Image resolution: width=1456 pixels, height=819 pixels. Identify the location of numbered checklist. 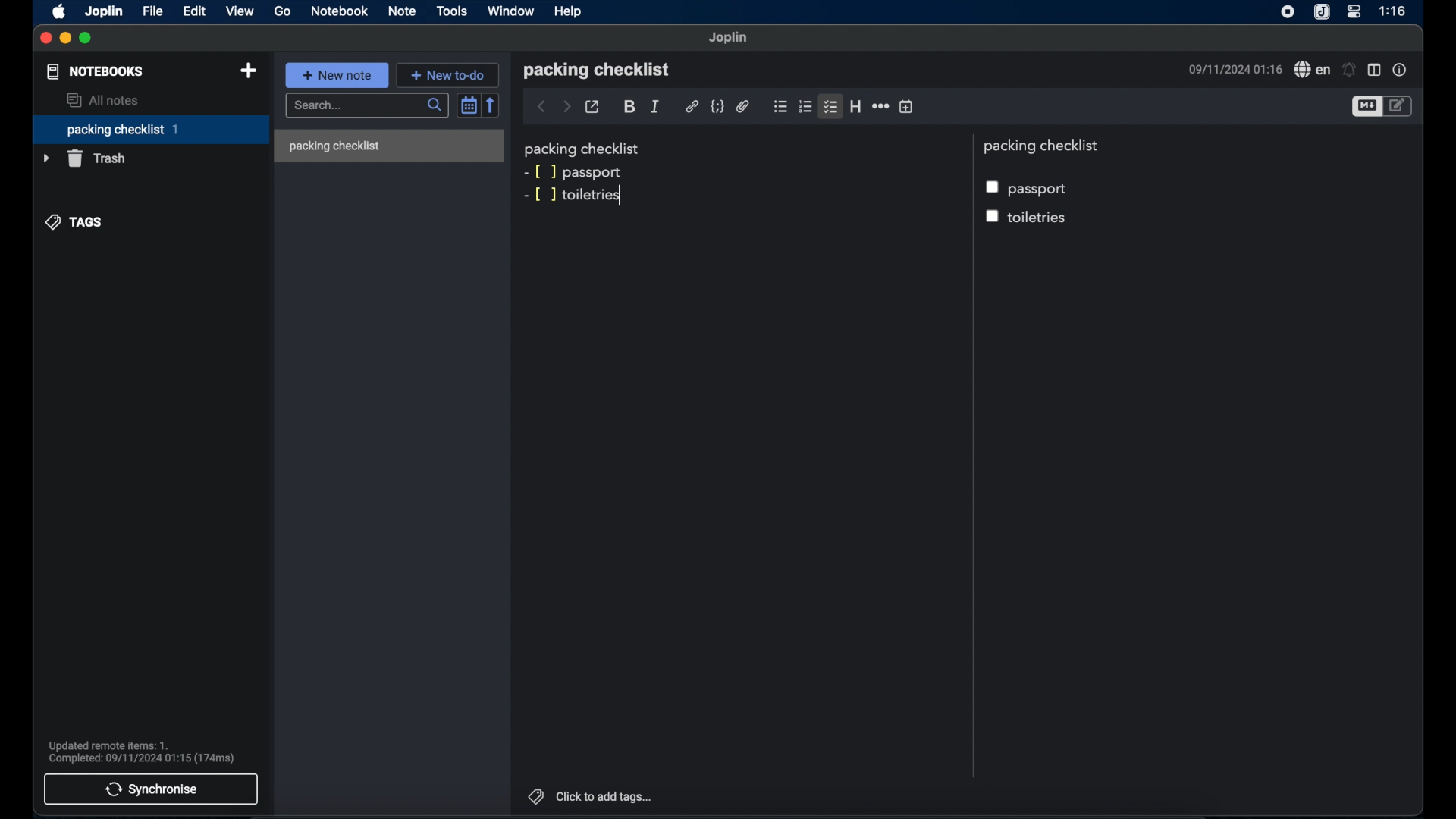
(806, 108).